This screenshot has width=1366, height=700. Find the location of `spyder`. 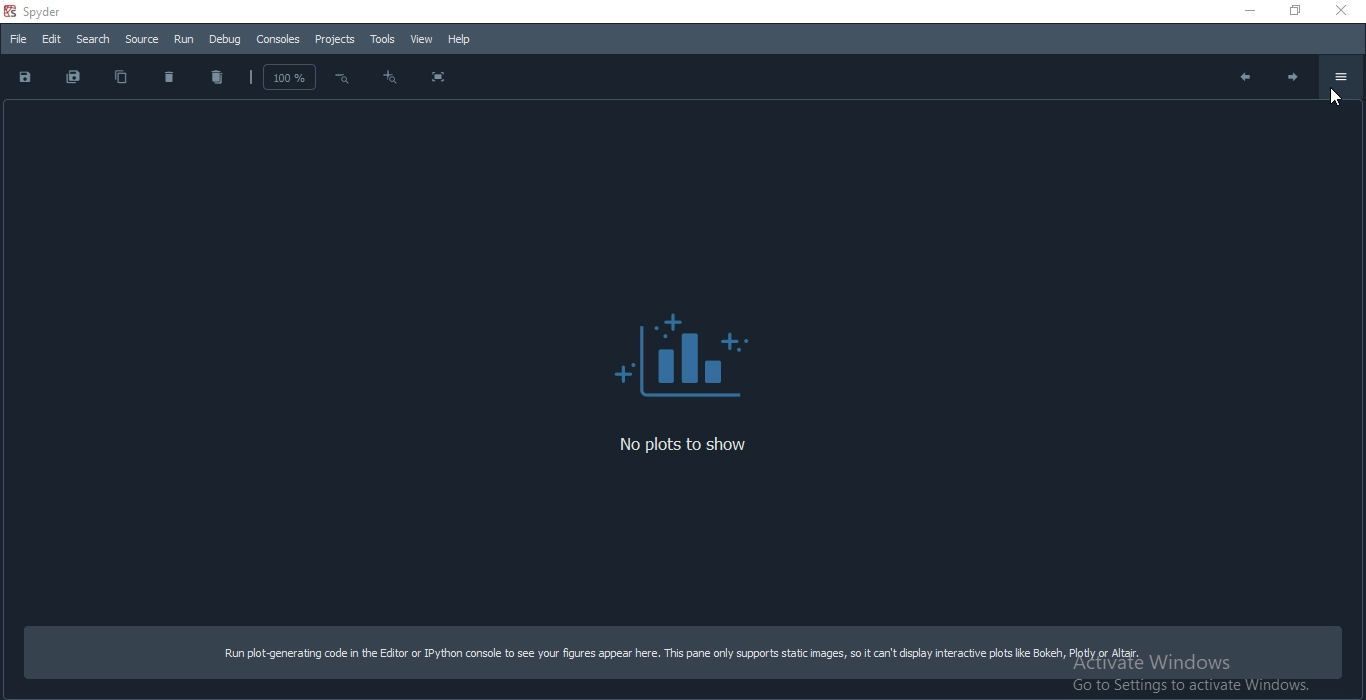

spyder is located at coordinates (60, 12).